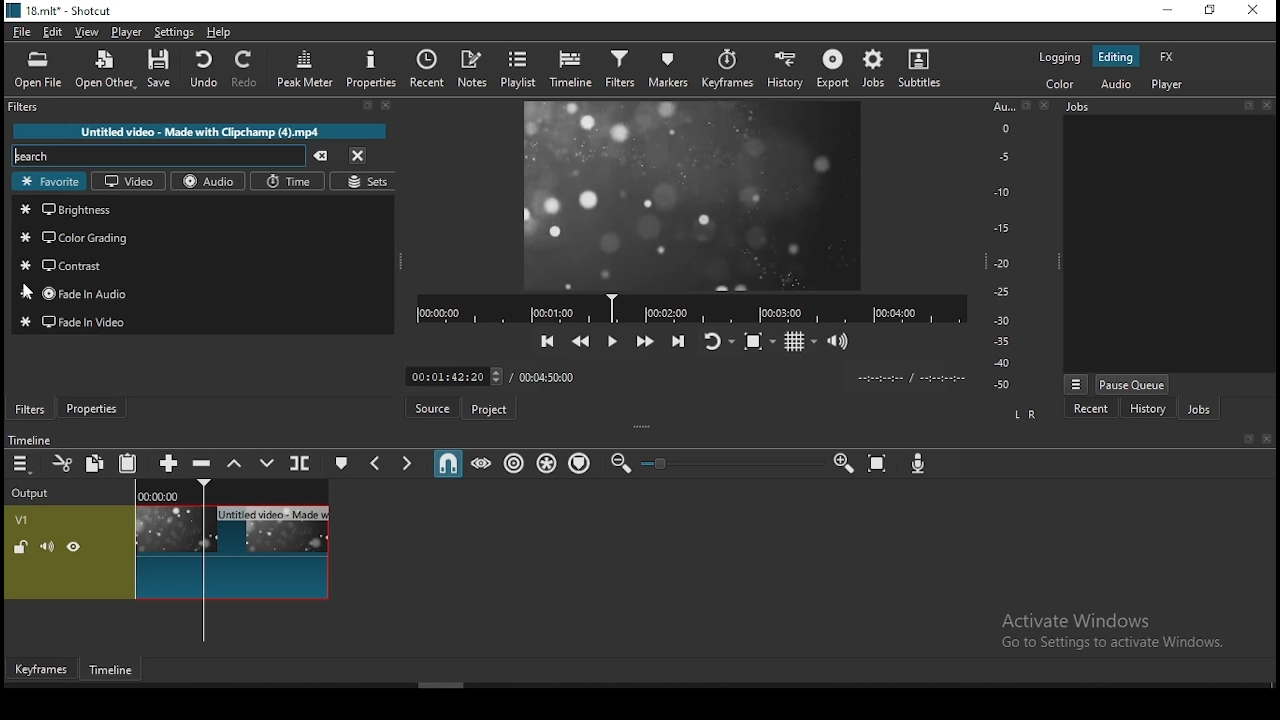 The image size is (1280, 720). Describe the element at coordinates (573, 67) in the screenshot. I see `timeline` at that location.